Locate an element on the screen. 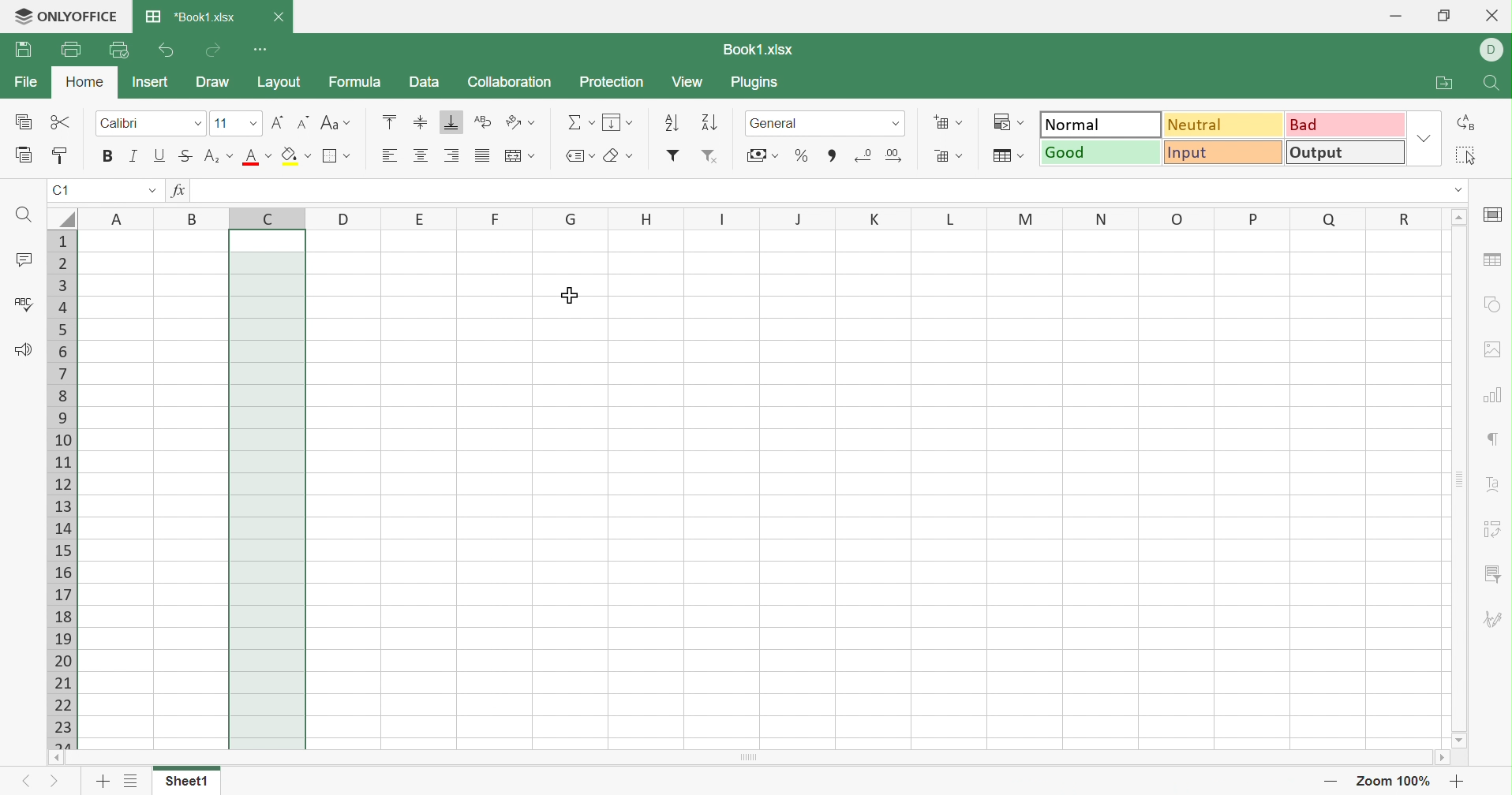  *Book1.xlsx is located at coordinates (192, 17).